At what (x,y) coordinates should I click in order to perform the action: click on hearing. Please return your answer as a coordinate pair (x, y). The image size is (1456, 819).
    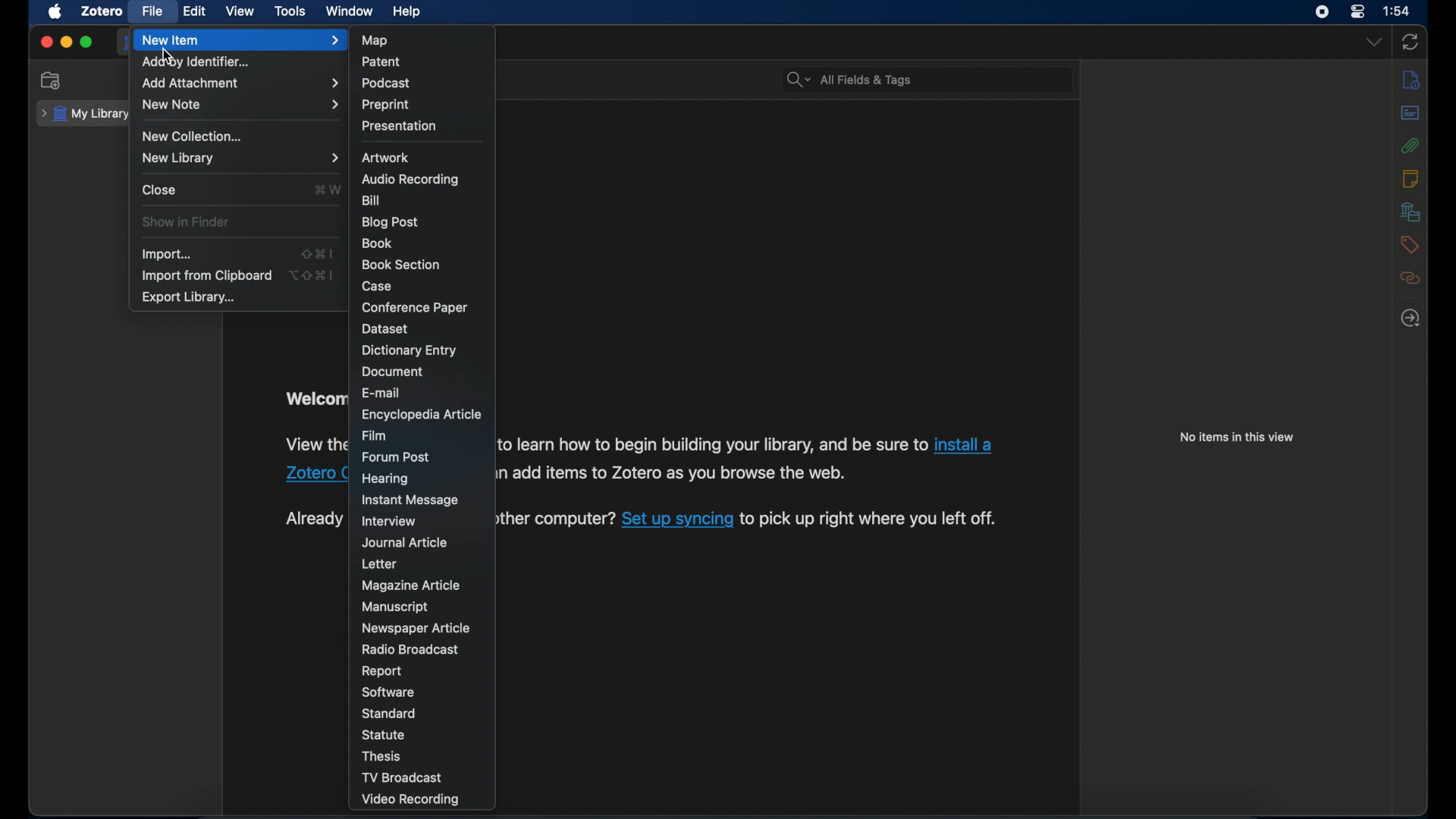
    Looking at the image, I should click on (385, 478).